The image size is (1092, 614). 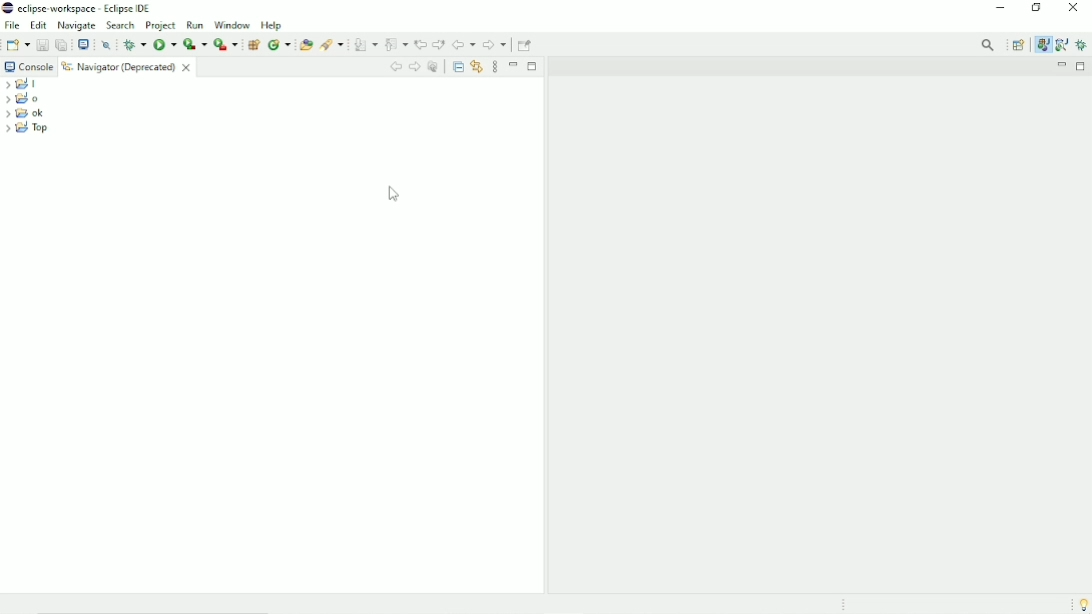 I want to click on Java Browsing, so click(x=1061, y=45).